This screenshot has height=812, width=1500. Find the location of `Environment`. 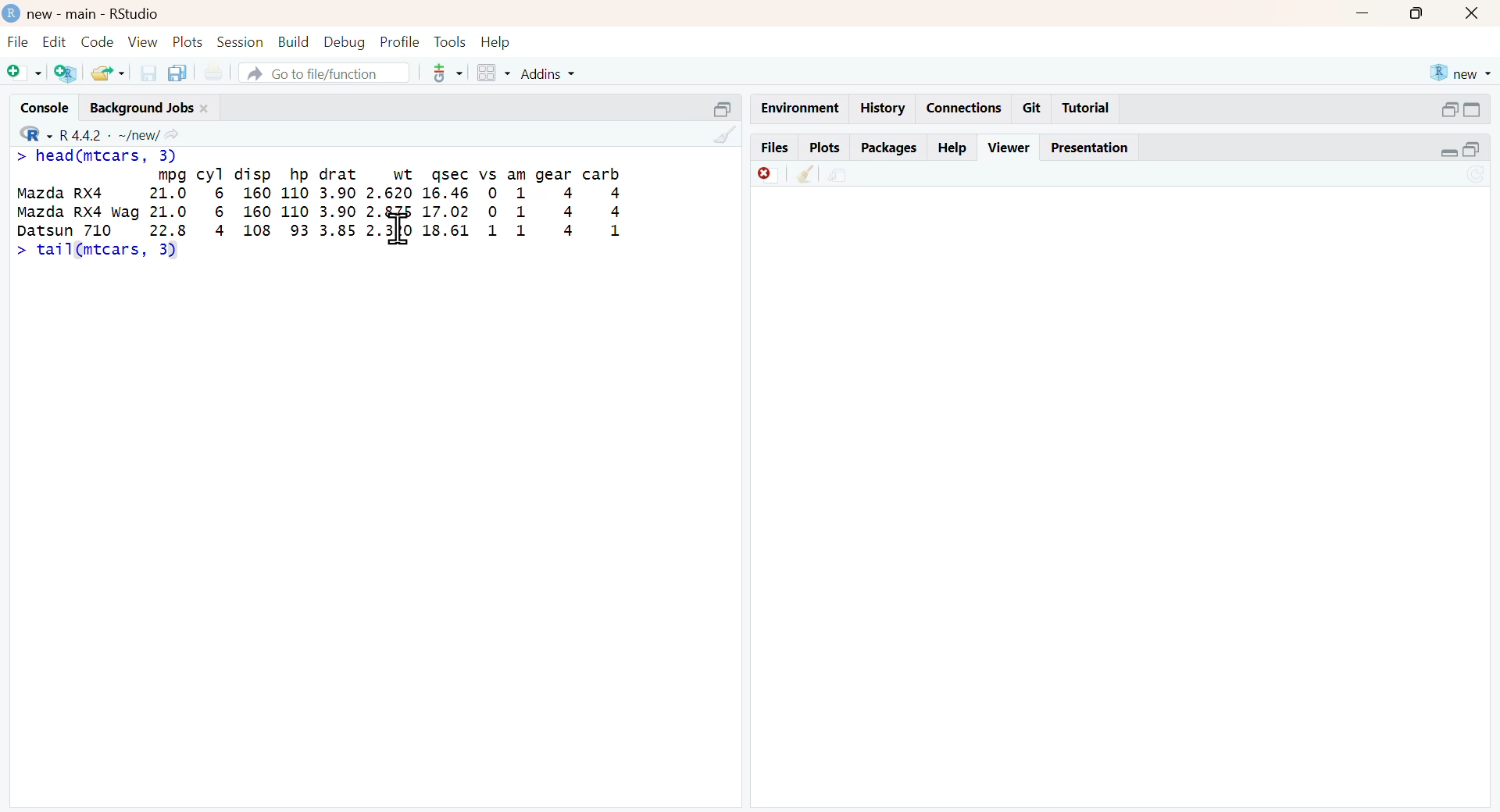

Environment is located at coordinates (798, 107).